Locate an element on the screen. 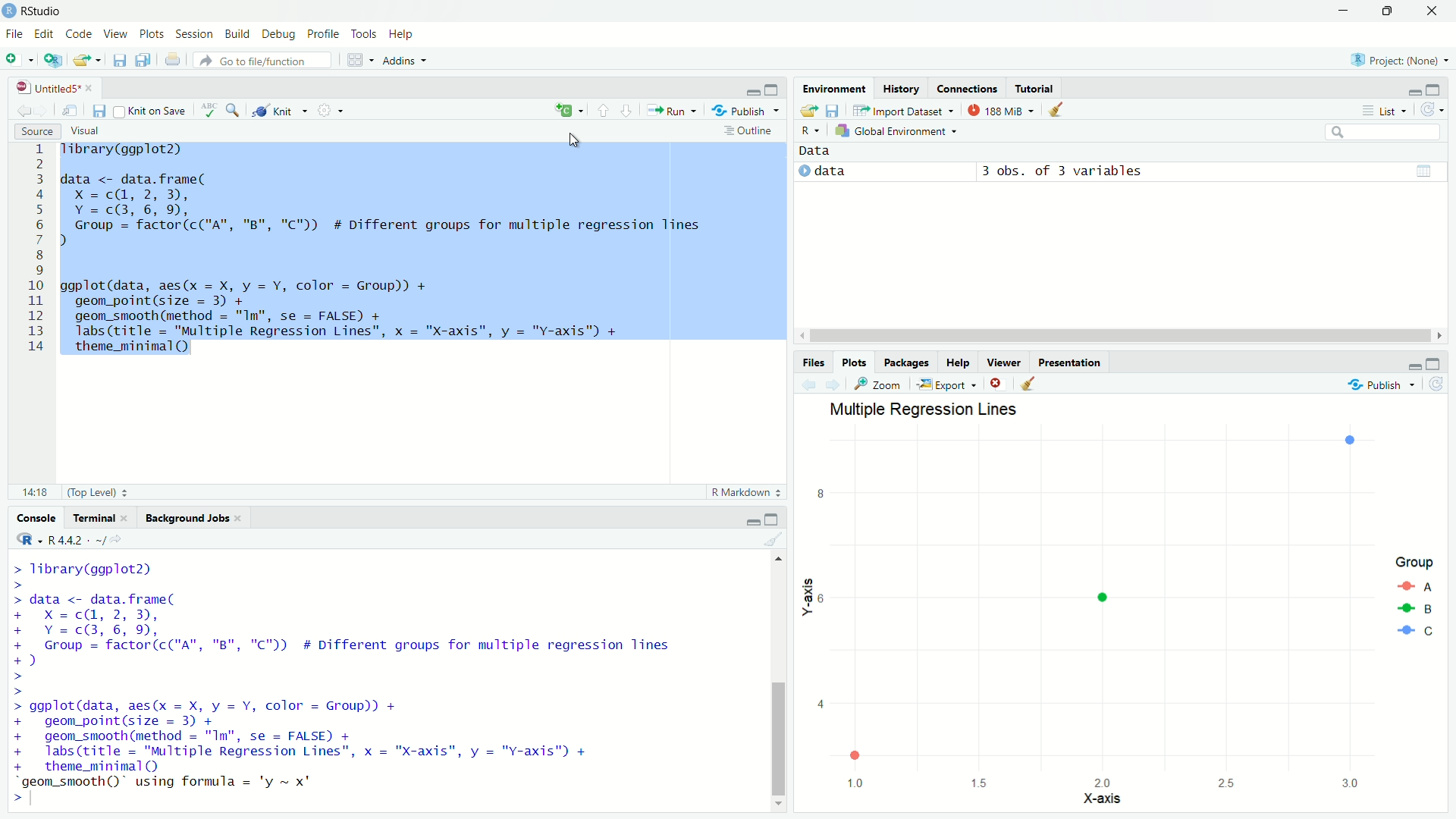  files is located at coordinates (837, 111).